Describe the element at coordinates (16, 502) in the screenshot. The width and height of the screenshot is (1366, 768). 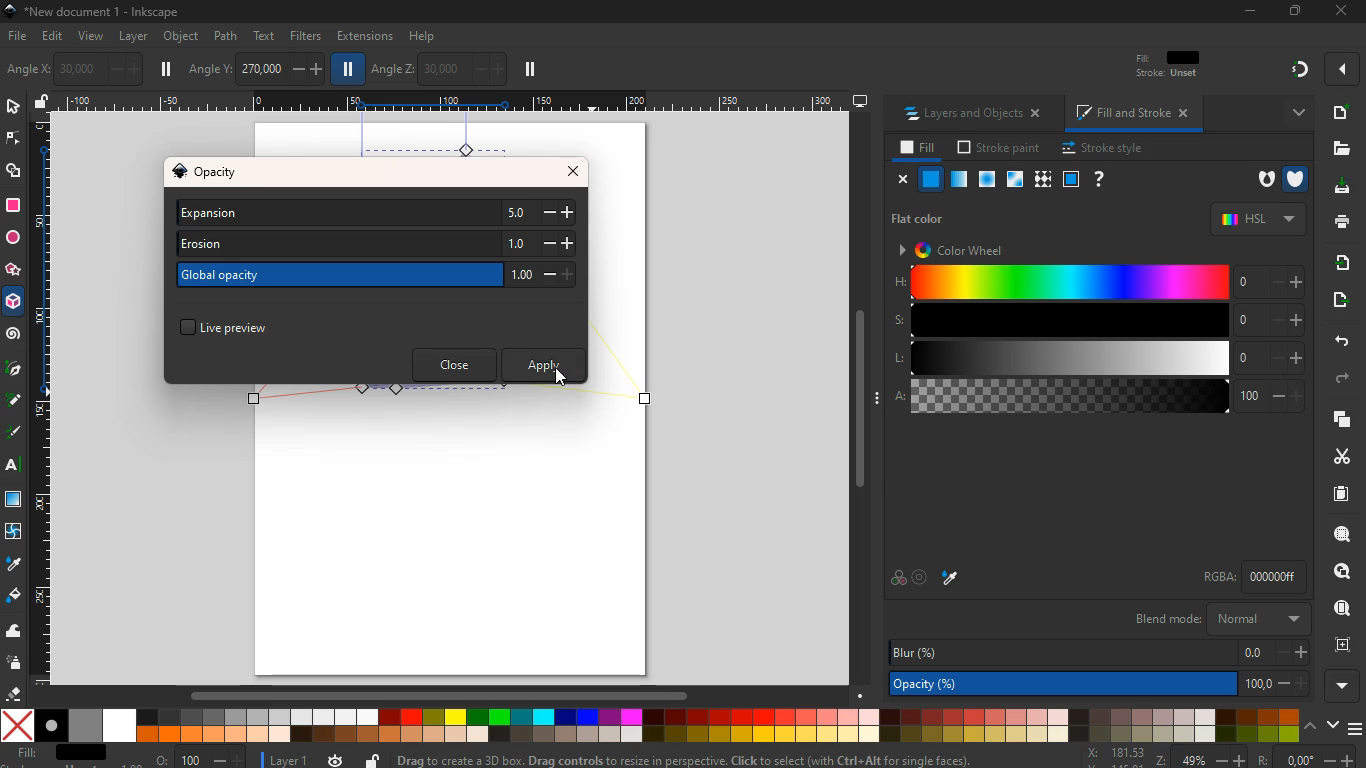
I see `screen` at that location.